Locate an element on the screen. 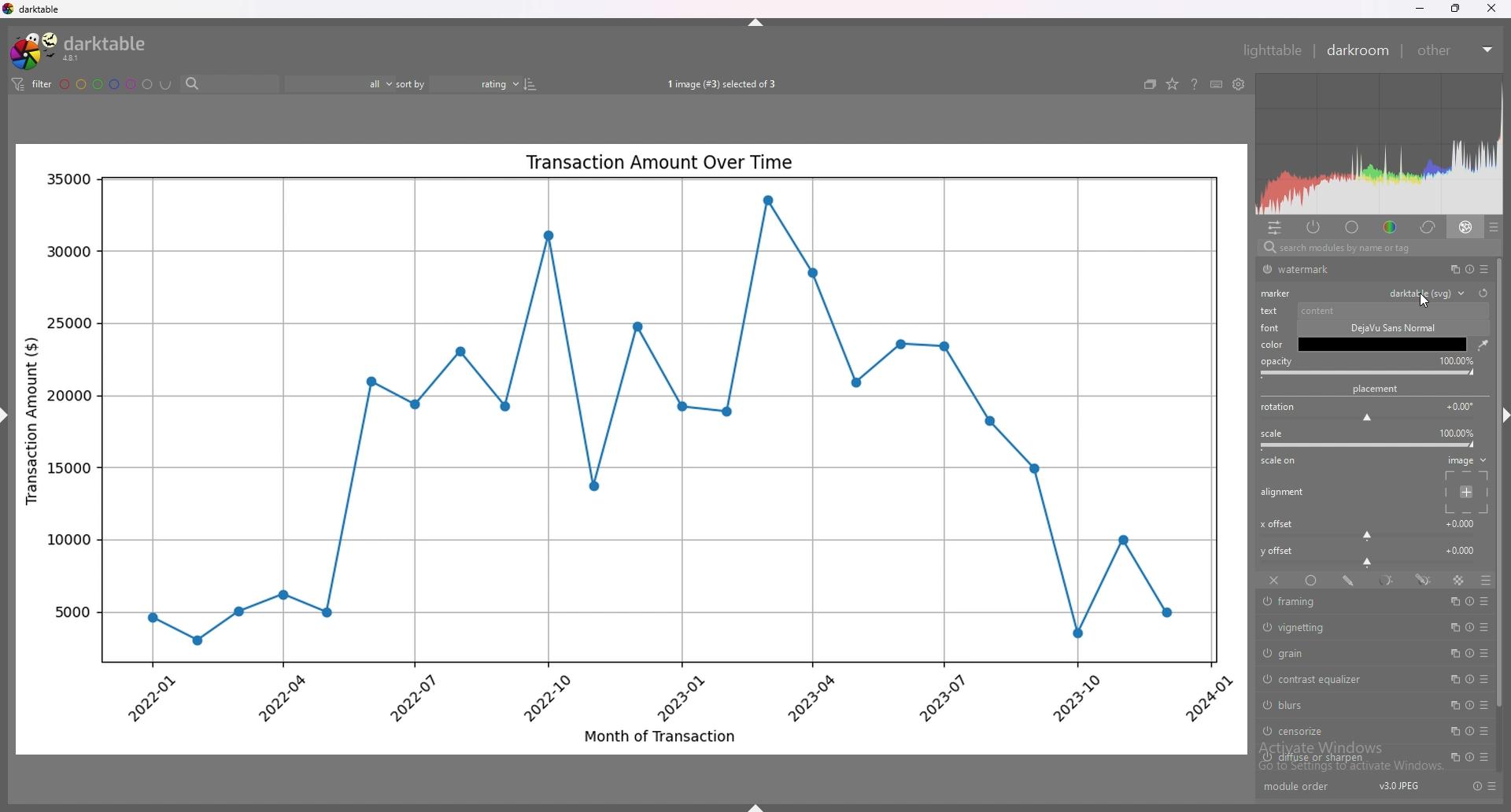 This screenshot has height=812, width=1511. presets is located at coordinates (1494, 227).